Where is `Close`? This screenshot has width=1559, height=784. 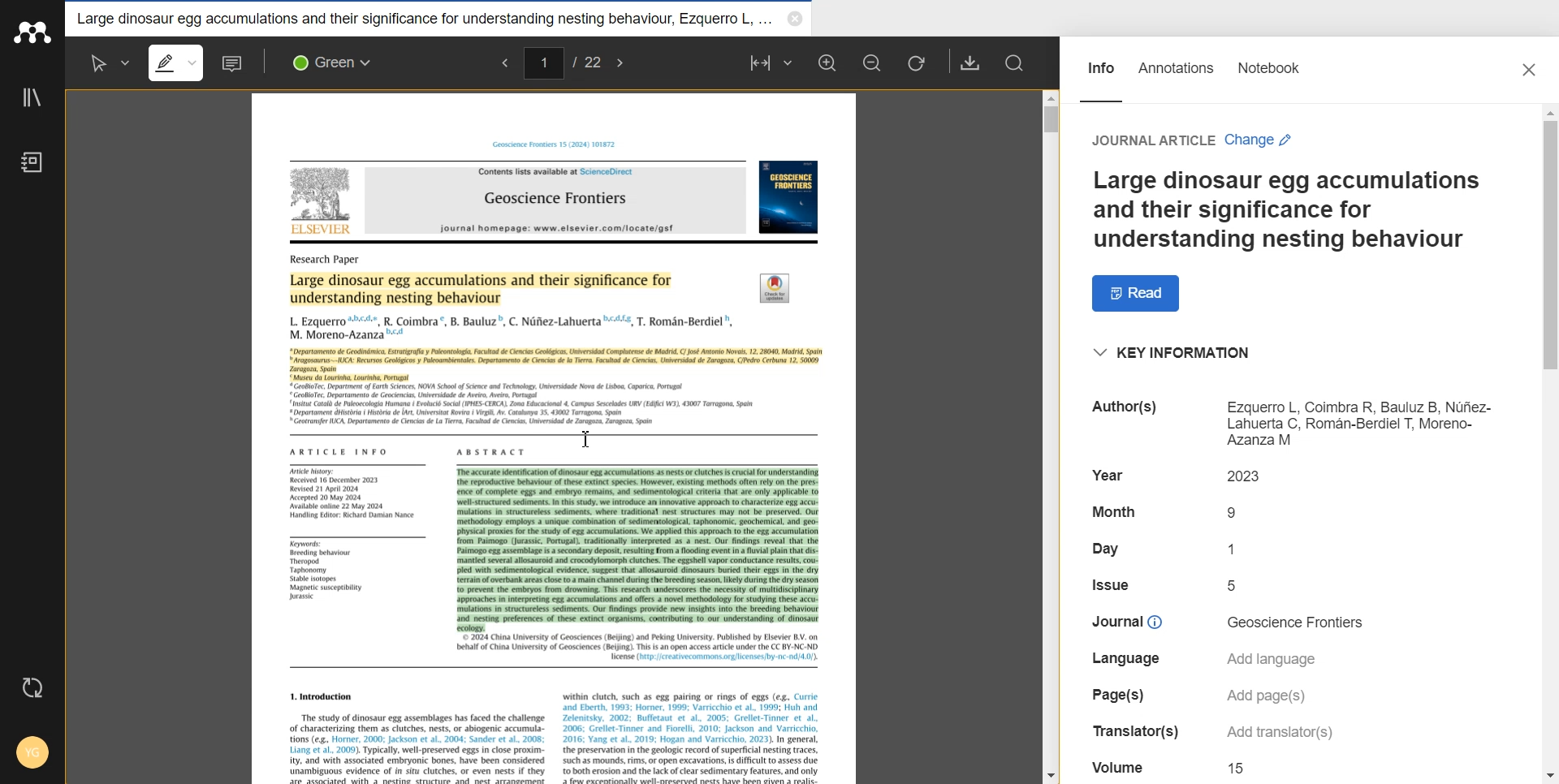
Close is located at coordinates (1531, 71).